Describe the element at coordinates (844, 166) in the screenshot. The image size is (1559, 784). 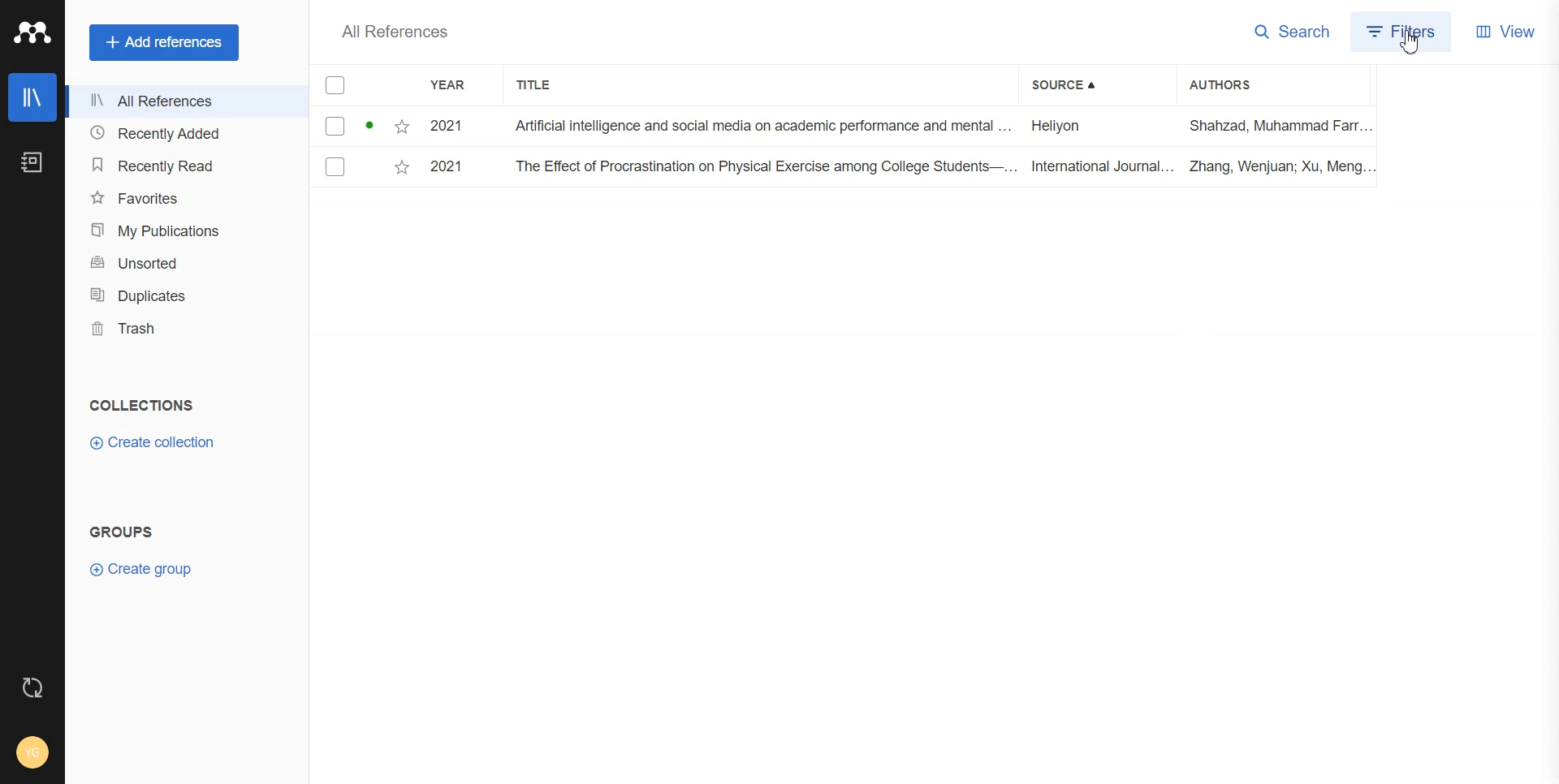
I see `File` at that location.